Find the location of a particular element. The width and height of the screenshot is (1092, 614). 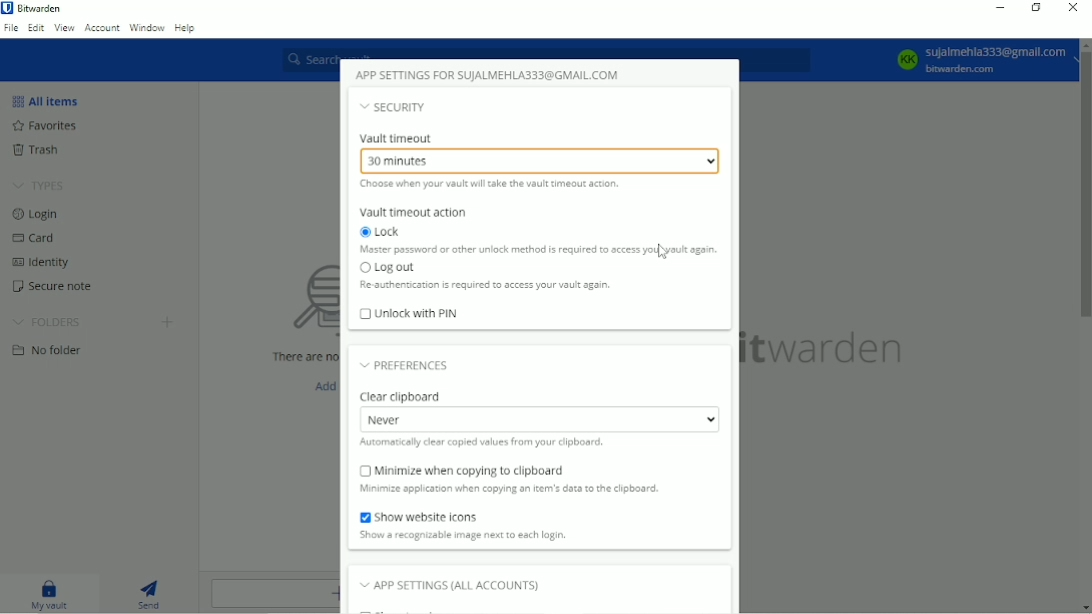

Lock is located at coordinates (385, 232).